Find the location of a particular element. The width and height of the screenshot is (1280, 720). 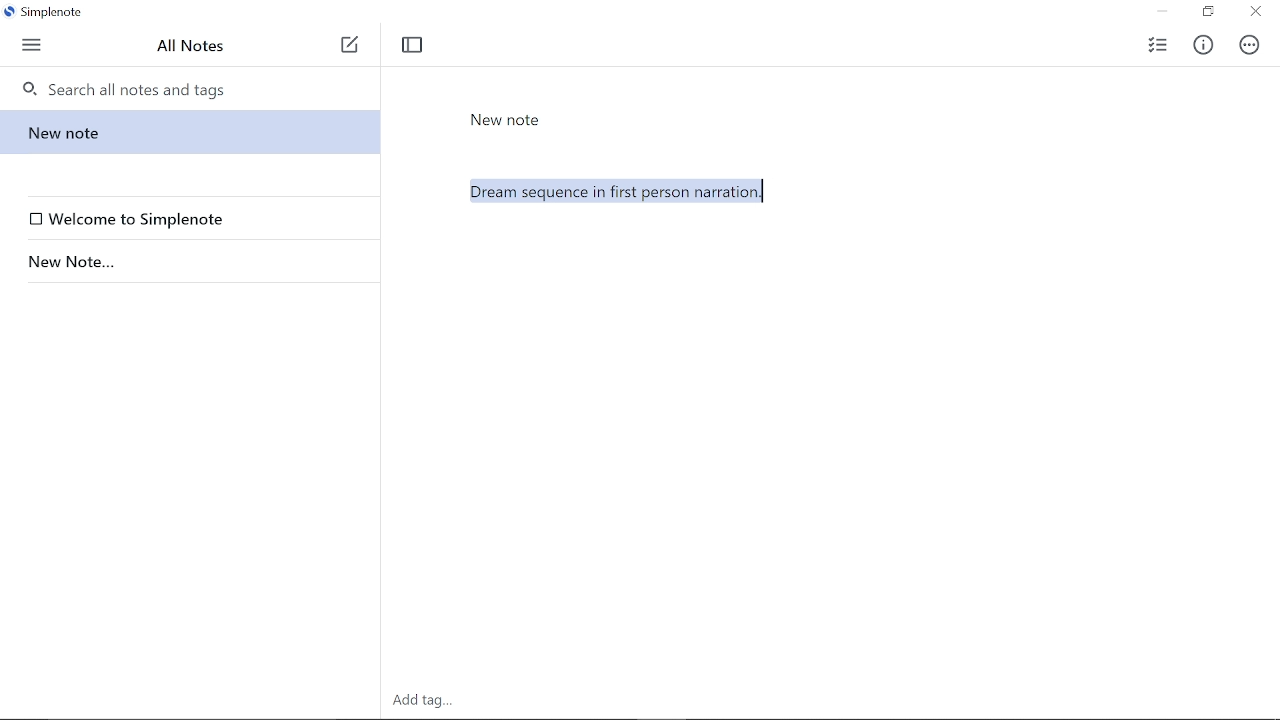

New note is located at coordinates (187, 132).